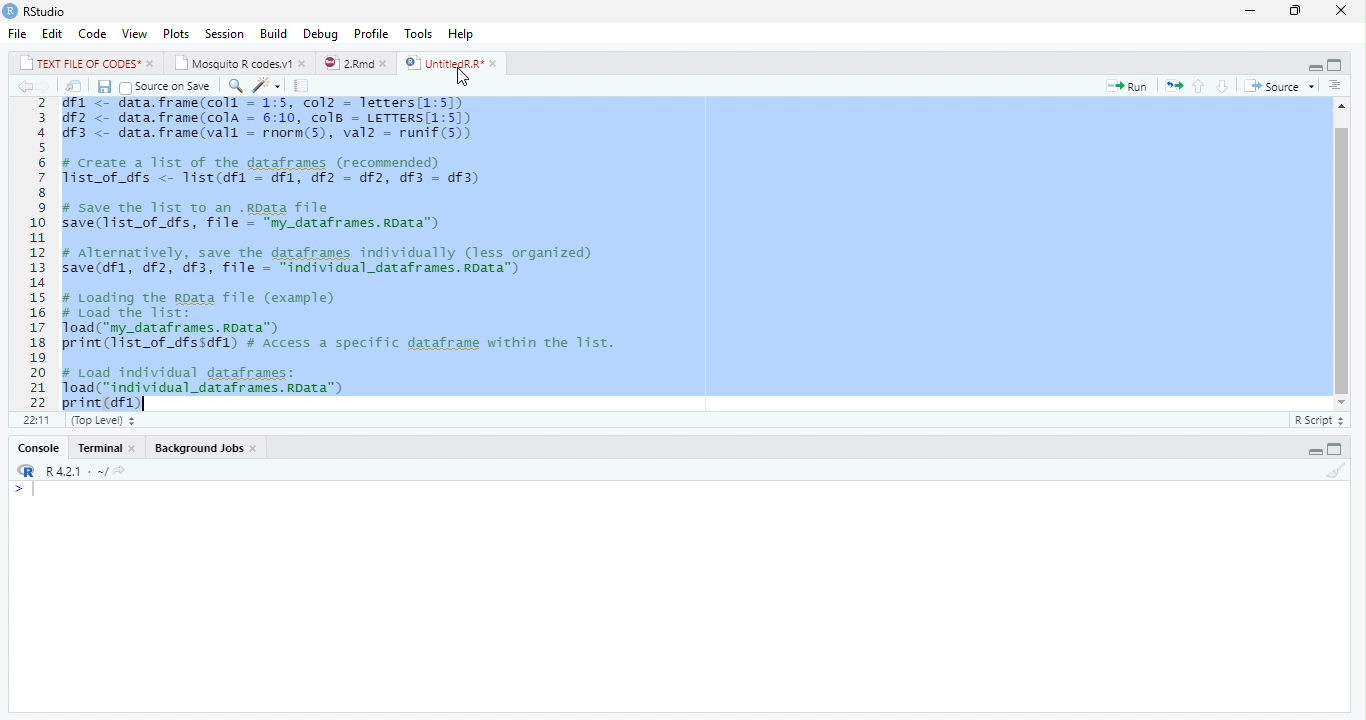 This screenshot has height=720, width=1366. What do you see at coordinates (1128, 86) in the screenshot?
I see `Run current line` at bounding box center [1128, 86].